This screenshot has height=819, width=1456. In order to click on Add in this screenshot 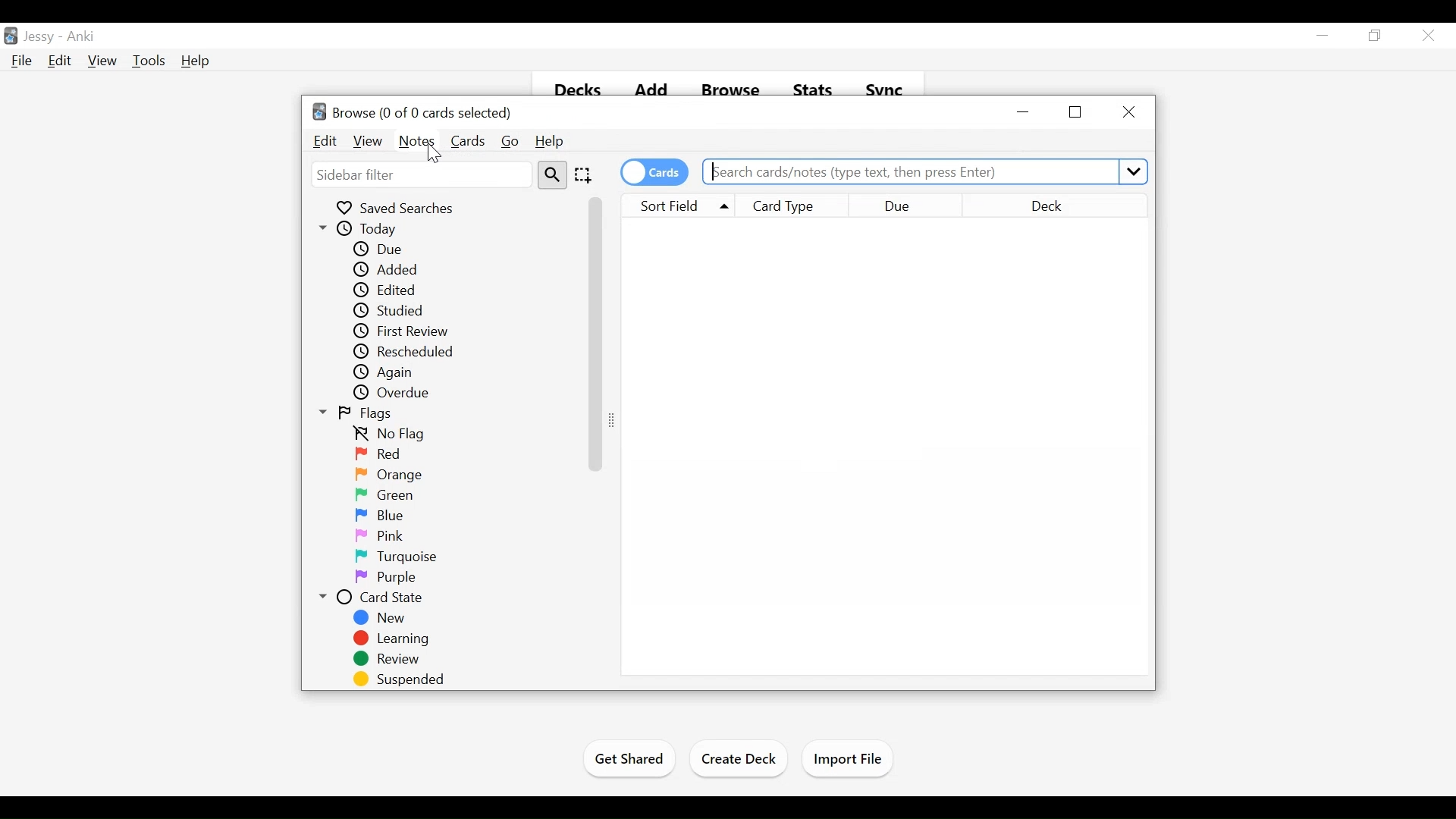, I will do `click(651, 86)`.